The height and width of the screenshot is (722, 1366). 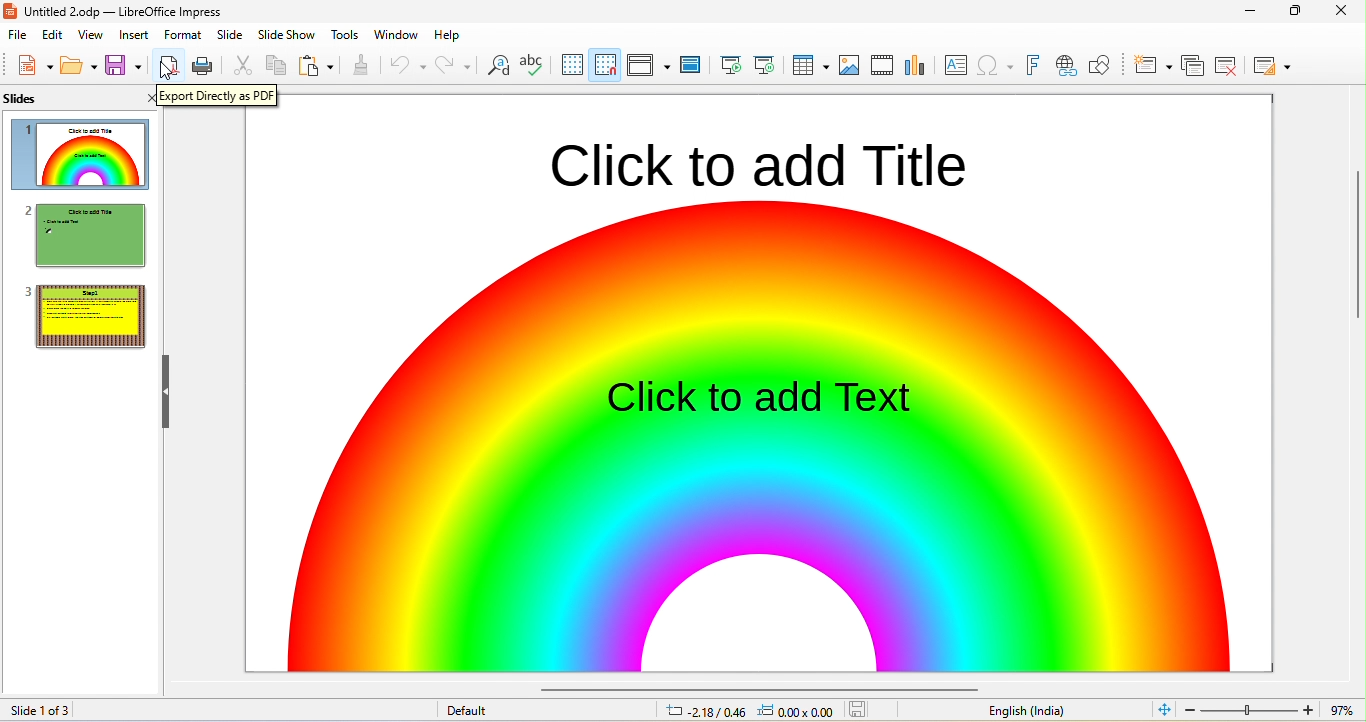 What do you see at coordinates (996, 63) in the screenshot?
I see `insert hyperlink` at bounding box center [996, 63].